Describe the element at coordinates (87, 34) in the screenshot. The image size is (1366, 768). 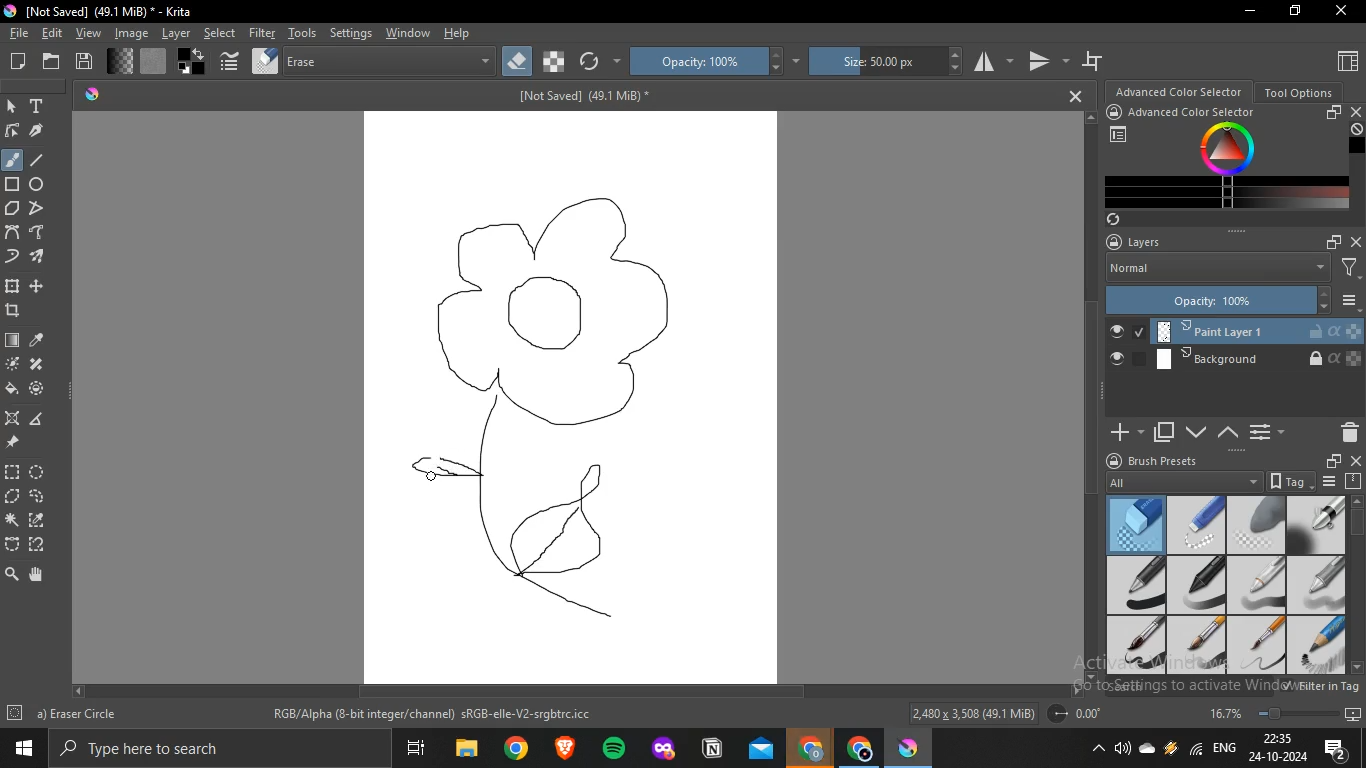
I see `view` at that location.